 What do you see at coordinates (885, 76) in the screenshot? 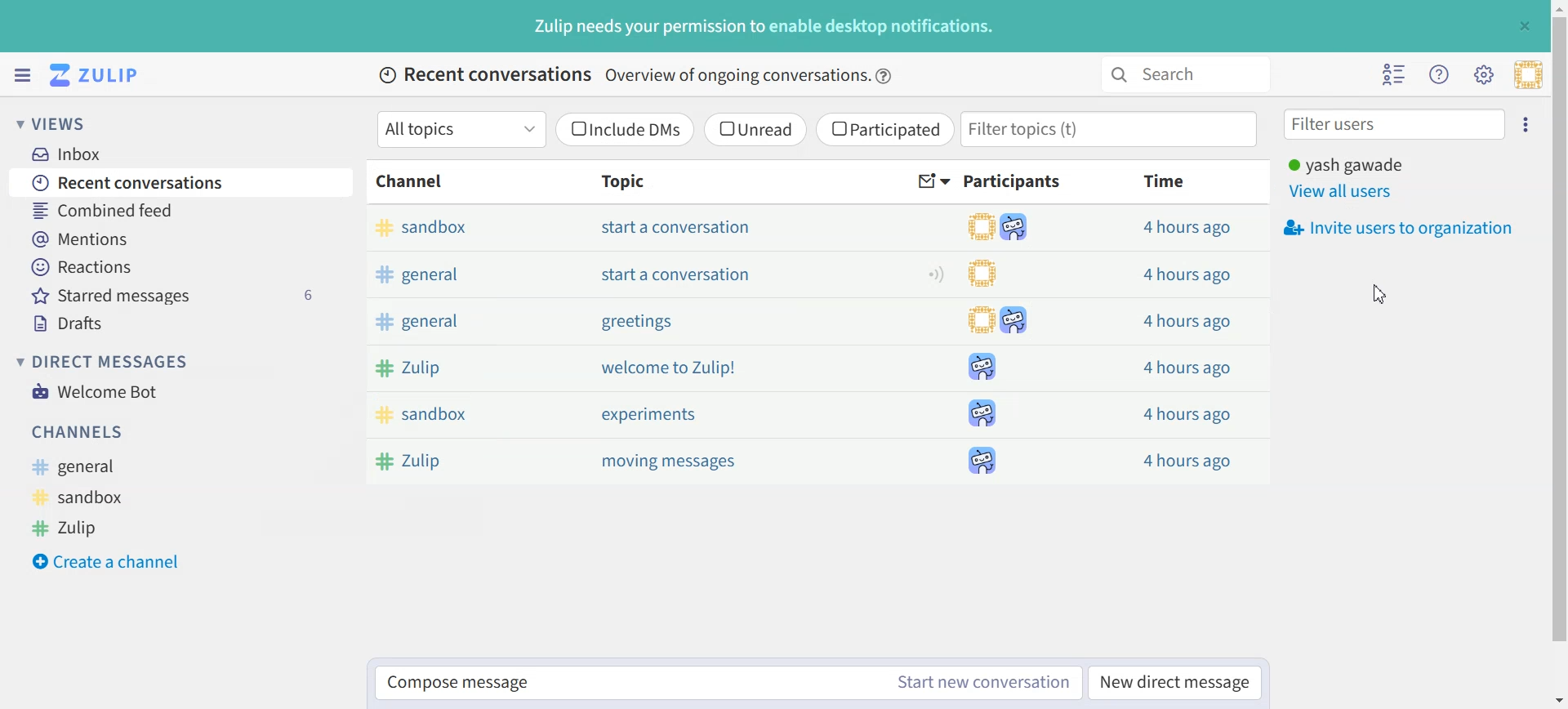
I see `Help` at bounding box center [885, 76].